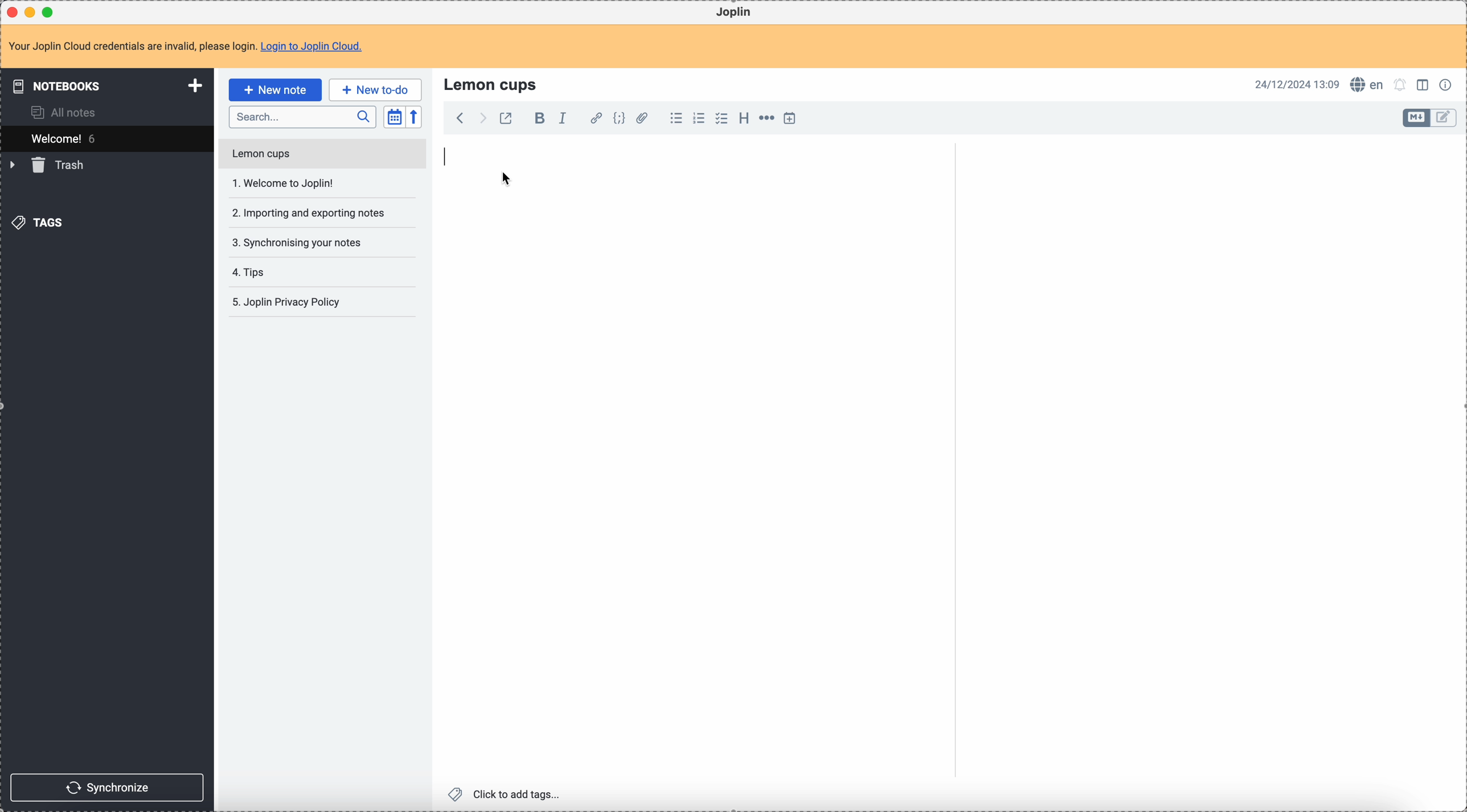 The image size is (1467, 812). What do you see at coordinates (192, 47) in the screenshot?
I see `note` at bounding box center [192, 47].